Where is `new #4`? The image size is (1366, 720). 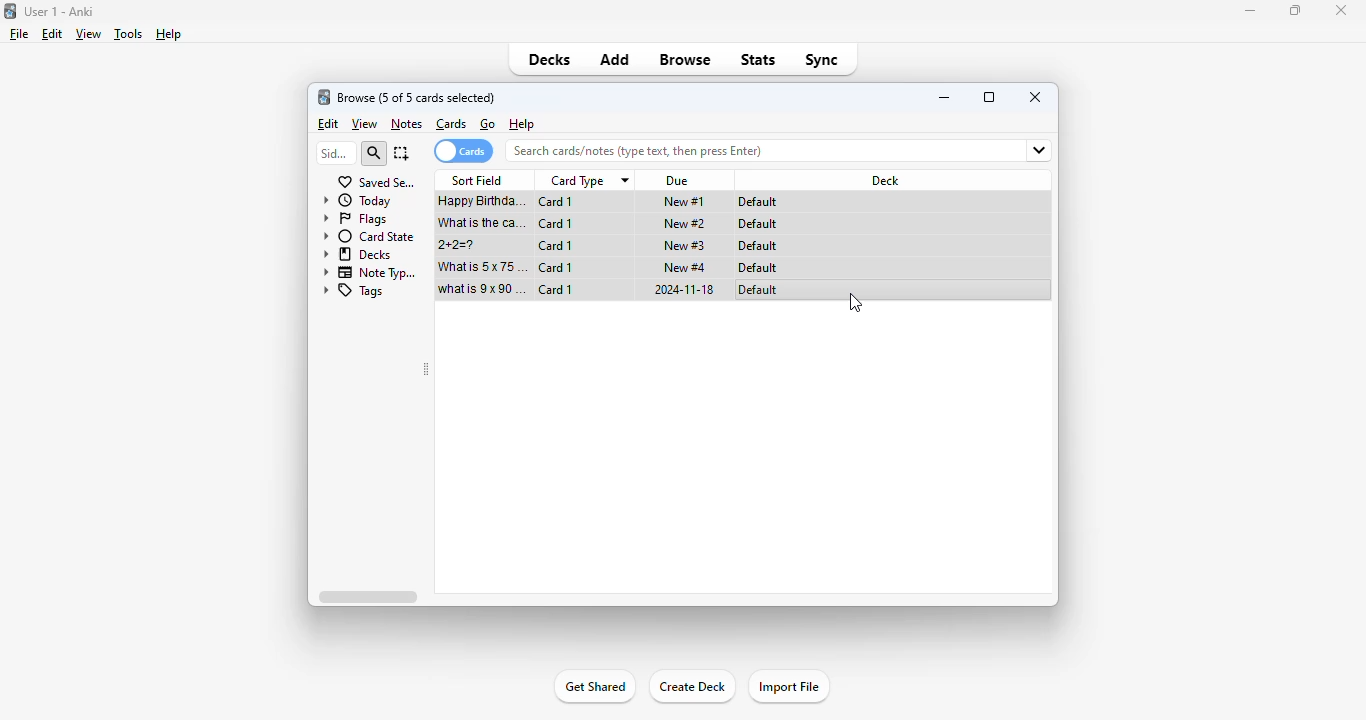
new #4 is located at coordinates (685, 266).